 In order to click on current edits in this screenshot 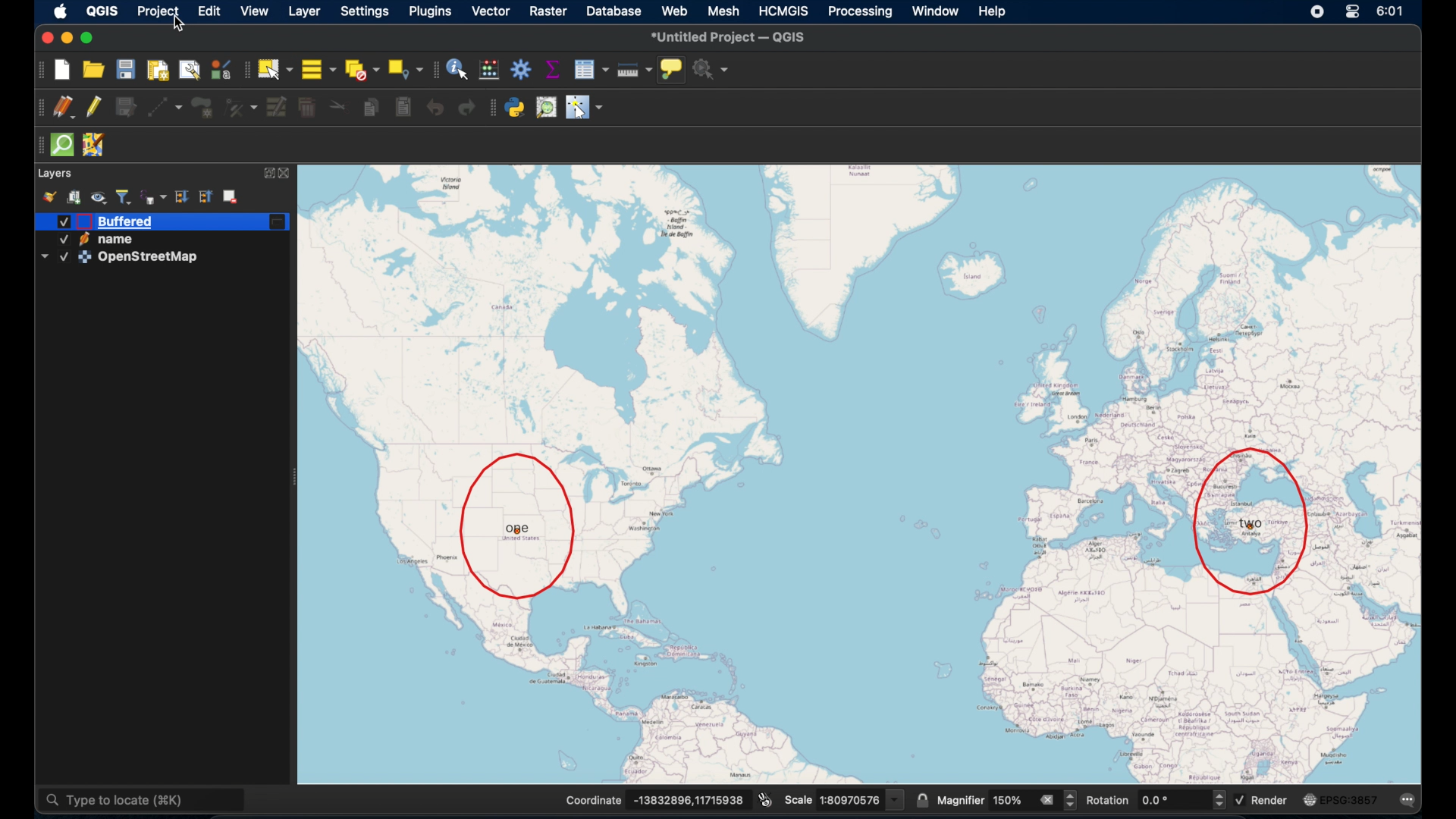, I will do `click(65, 108)`.